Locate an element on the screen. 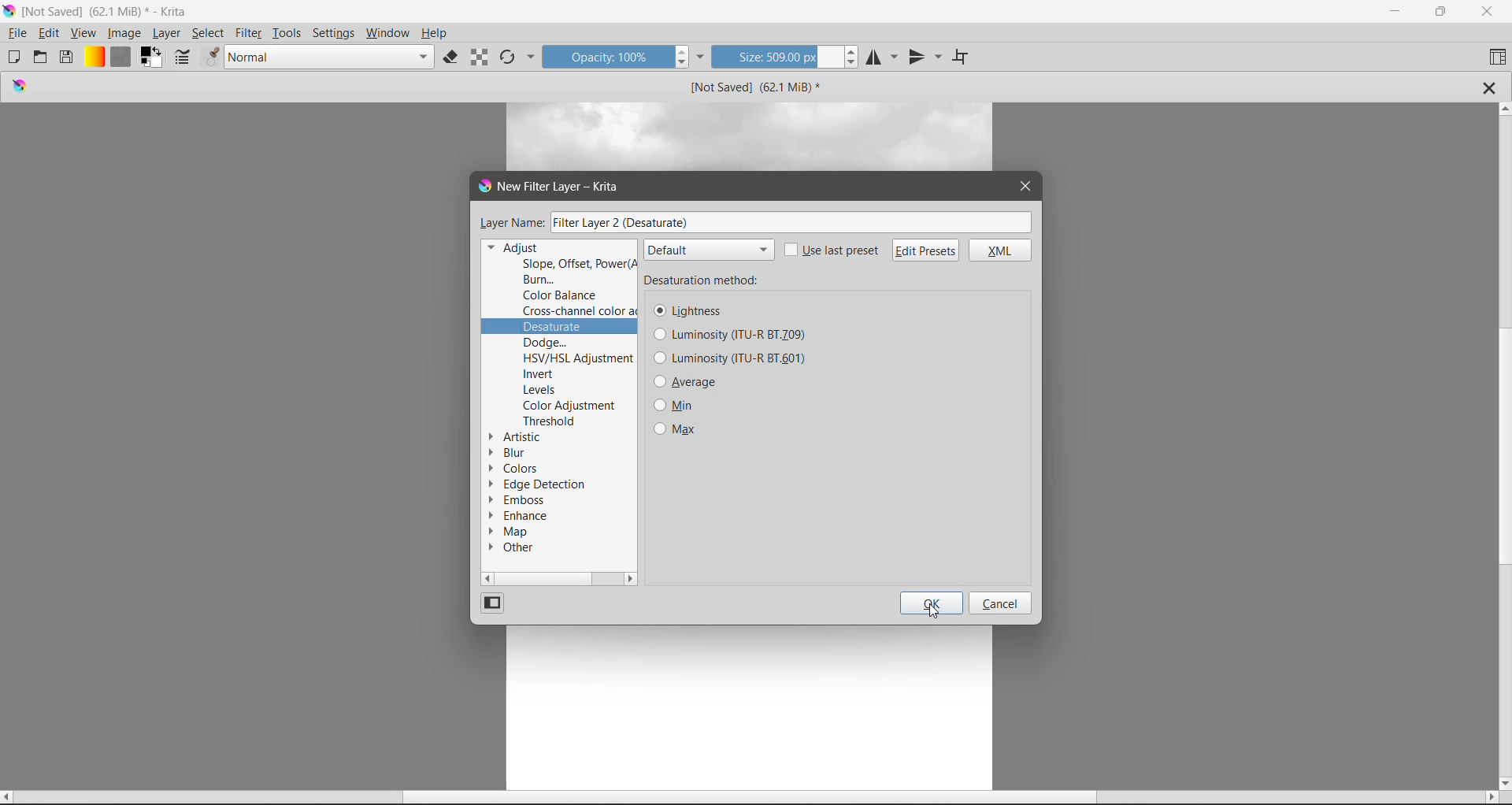 The height and width of the screenshot is (805, 1512). Close Tab is located at coordinates (1490, 87).